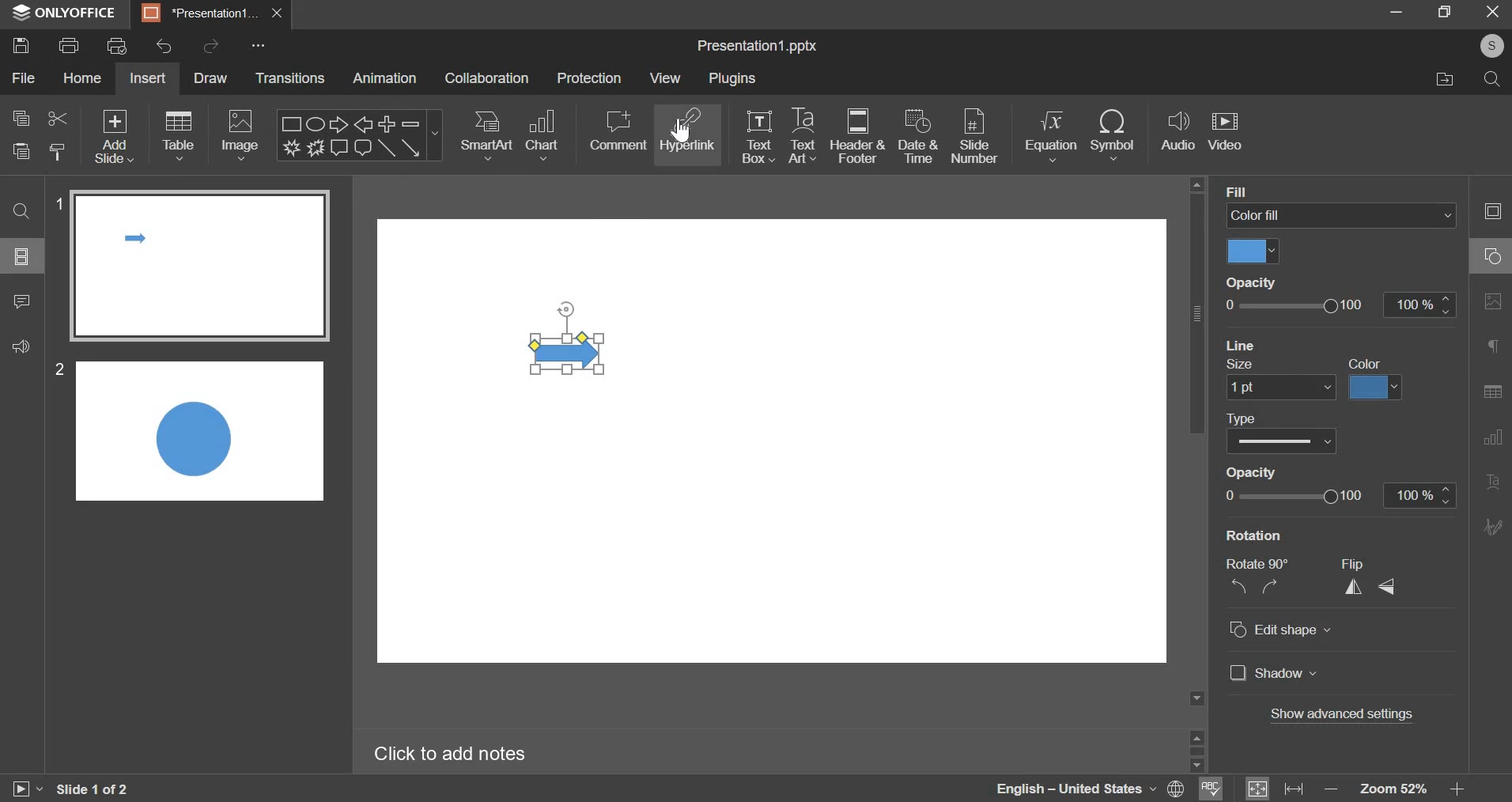 This screenshot has width=1512, height=802. I want to click on rotate anti-clockwise, so click(1237, 587).